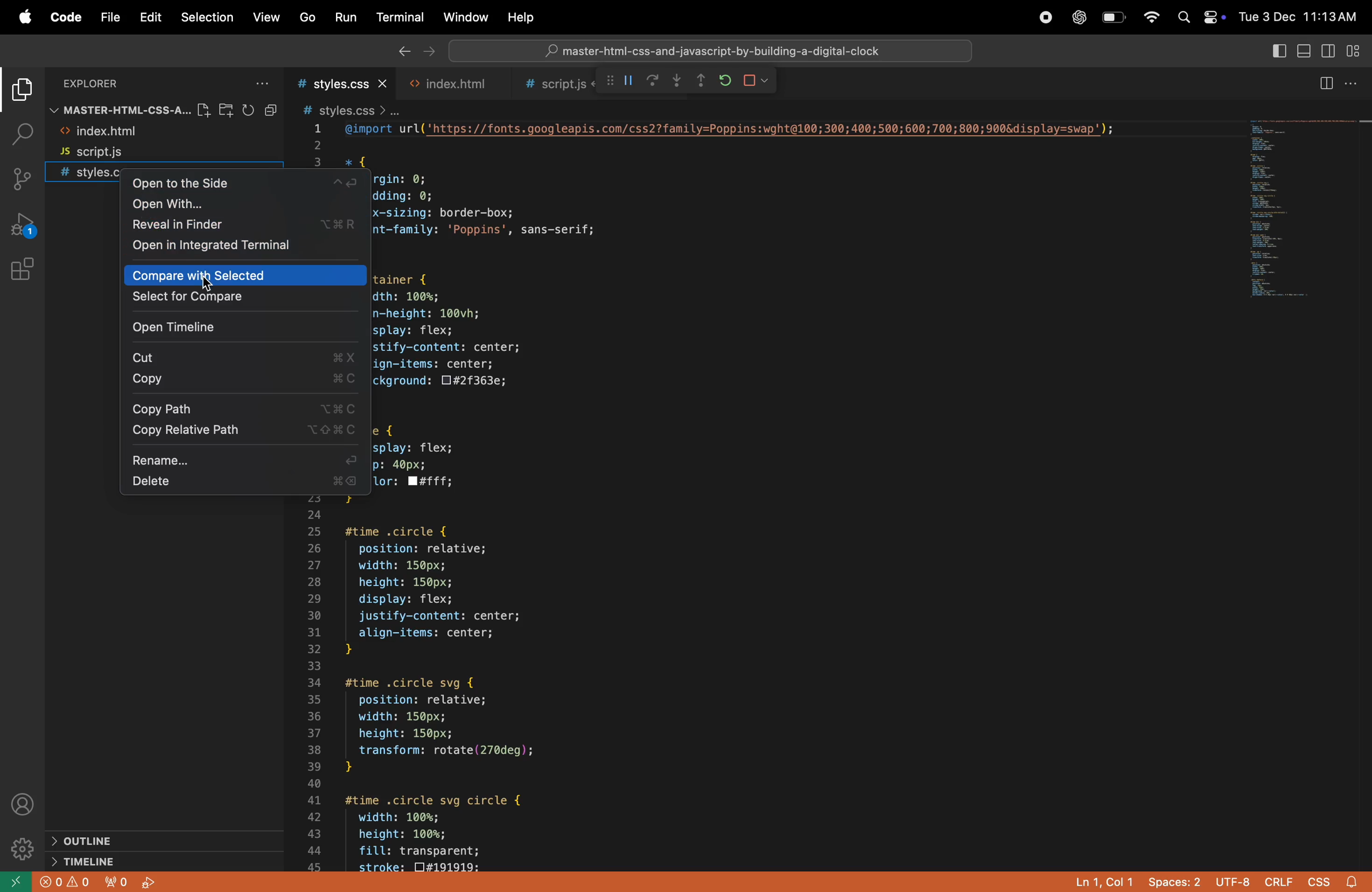 This screenshot has height=892, width=1372. Describe the element at coordinates (309, 17) in the screenshot. I see `go` at that location.